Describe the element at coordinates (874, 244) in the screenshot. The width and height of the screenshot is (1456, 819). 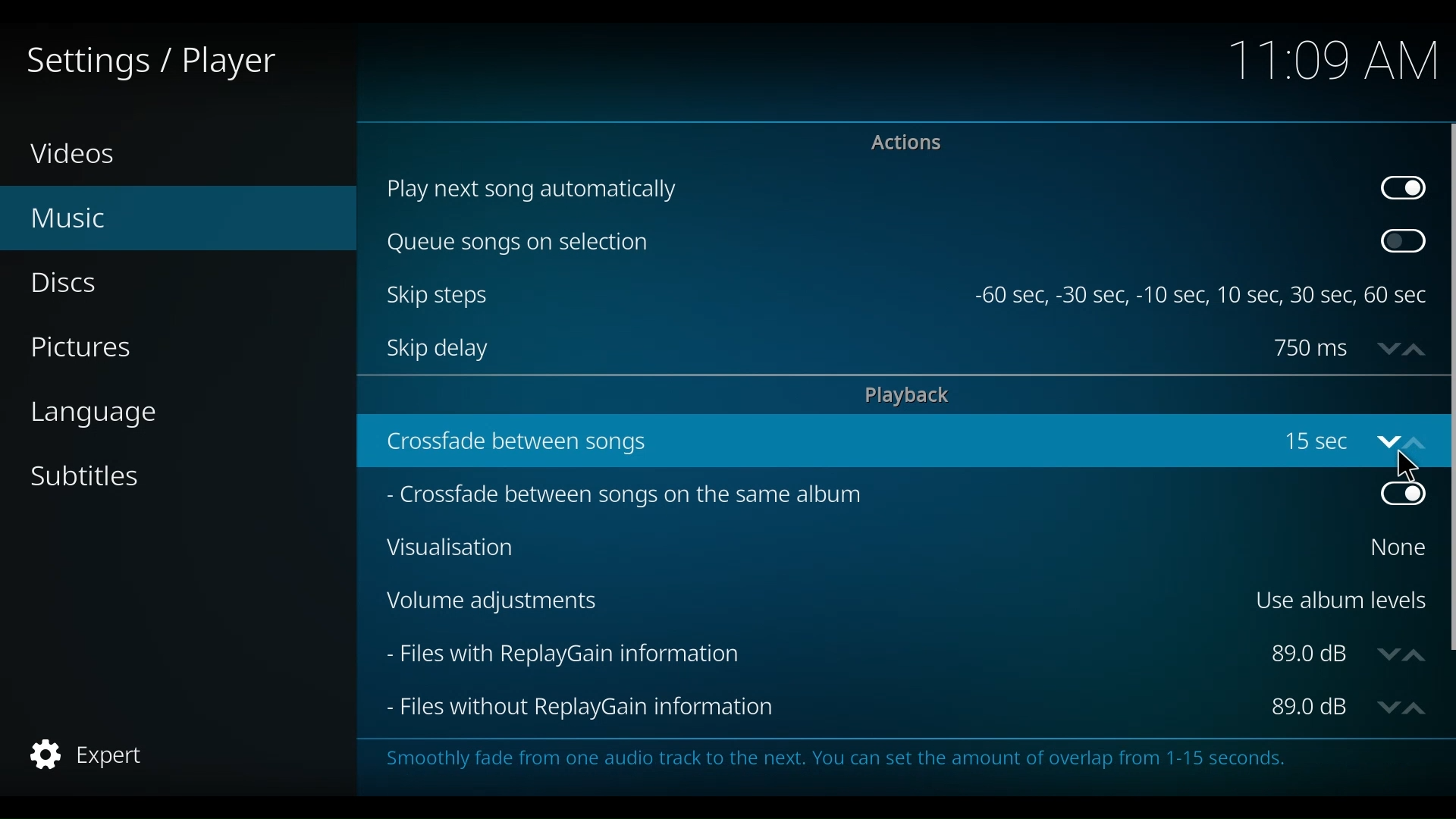
I see `Queue songs on selection` at that location.